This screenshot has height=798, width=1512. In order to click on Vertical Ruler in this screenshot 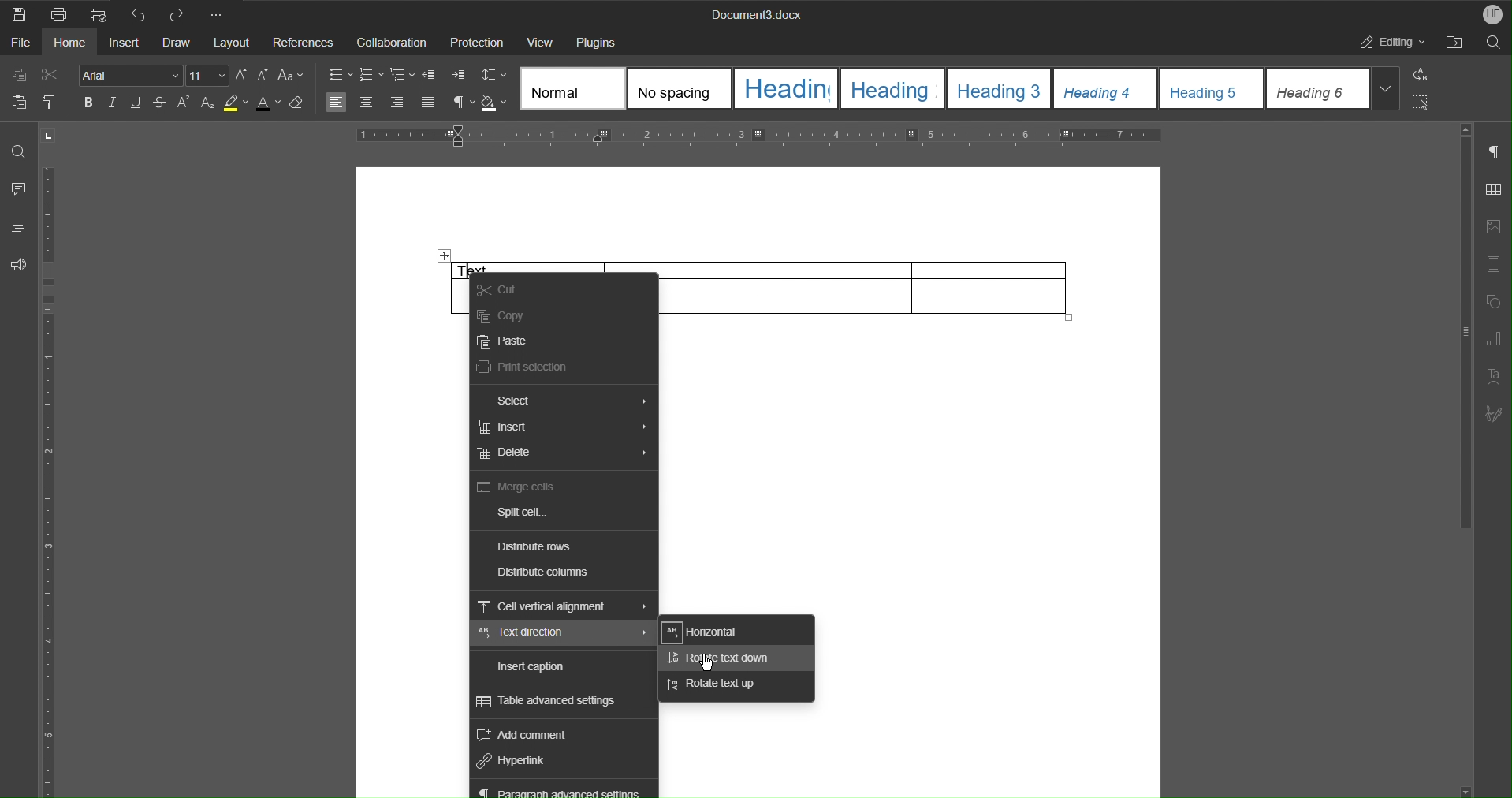, I will do `click(51, 482)`.